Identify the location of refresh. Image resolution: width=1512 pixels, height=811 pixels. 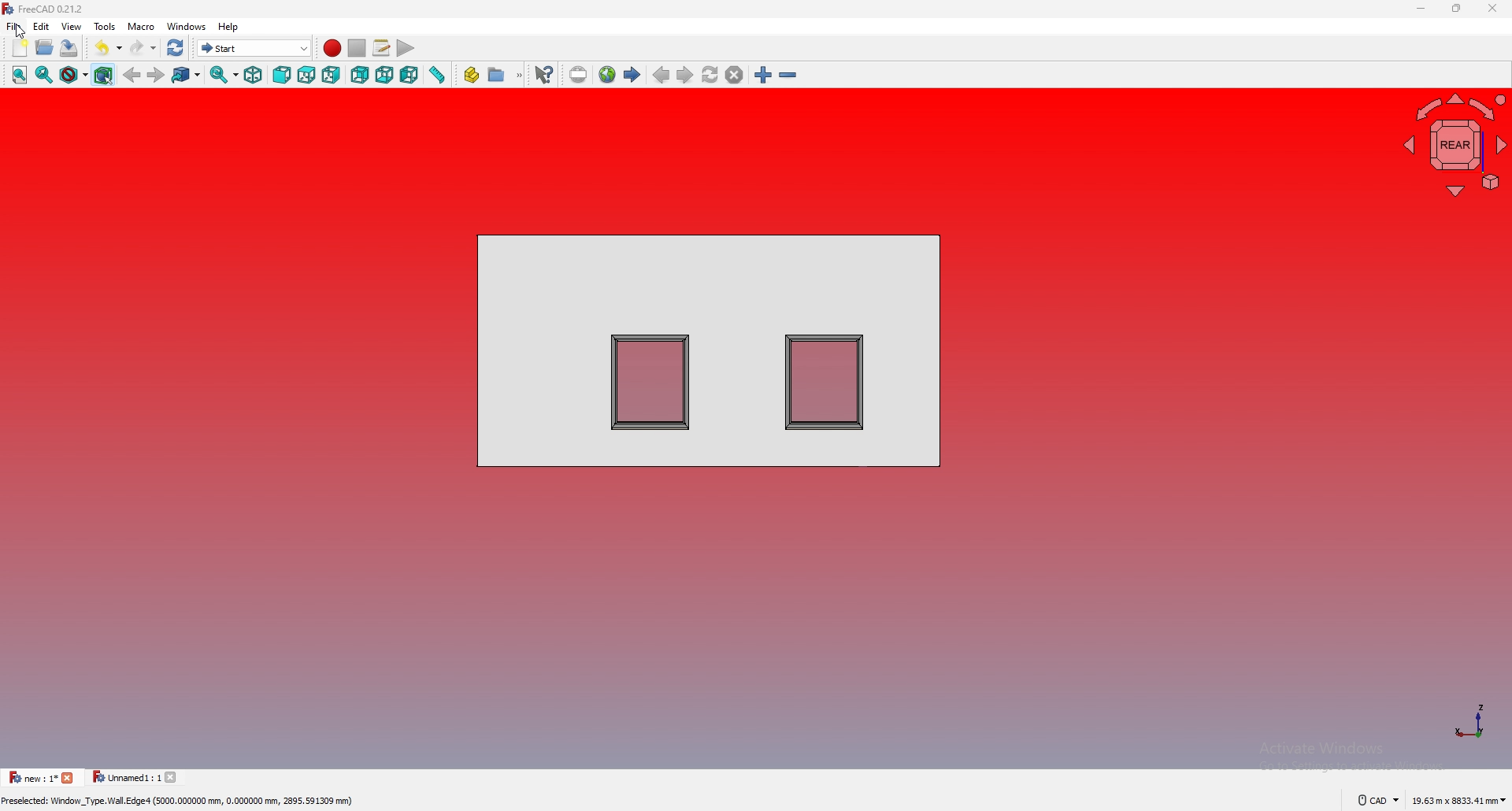
(176, 48).